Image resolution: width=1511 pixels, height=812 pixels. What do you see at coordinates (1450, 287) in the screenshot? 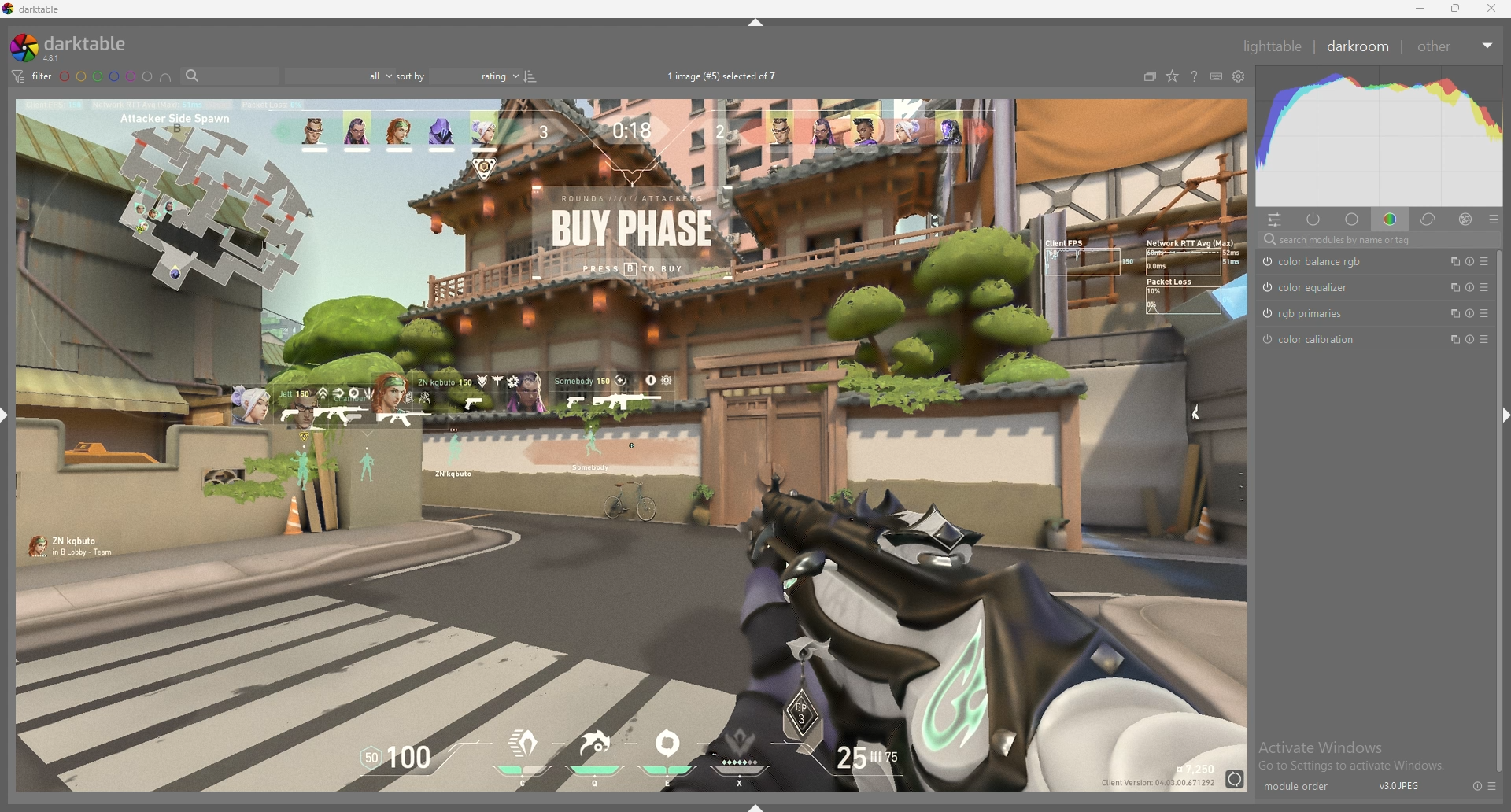
I see `multiple instance actions` at bounding box center [1450, 287].